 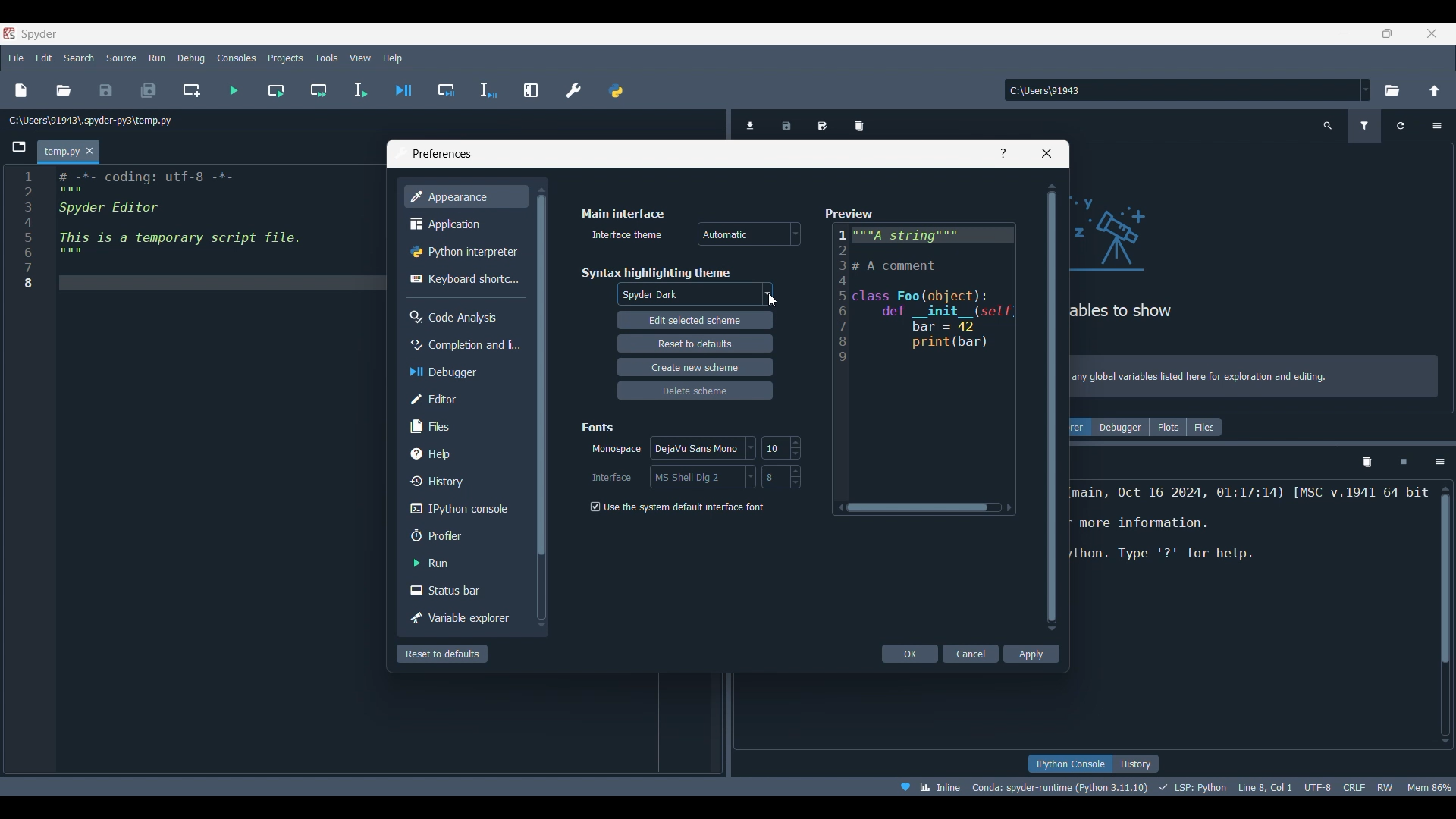 I want to click on Browse tabs, so click(x=20, y=147).